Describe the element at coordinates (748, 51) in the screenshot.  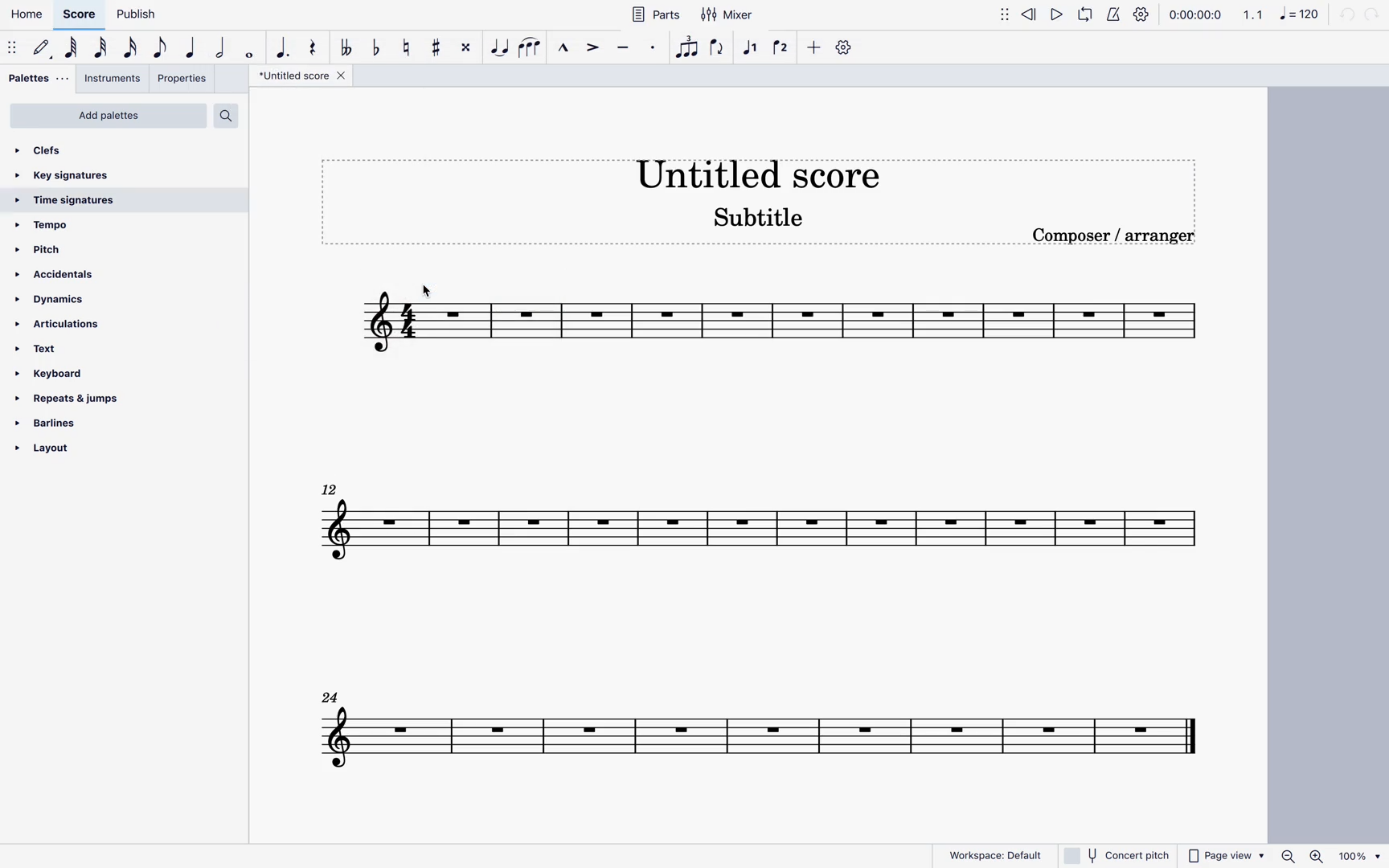
I see `voice 1` at that location.